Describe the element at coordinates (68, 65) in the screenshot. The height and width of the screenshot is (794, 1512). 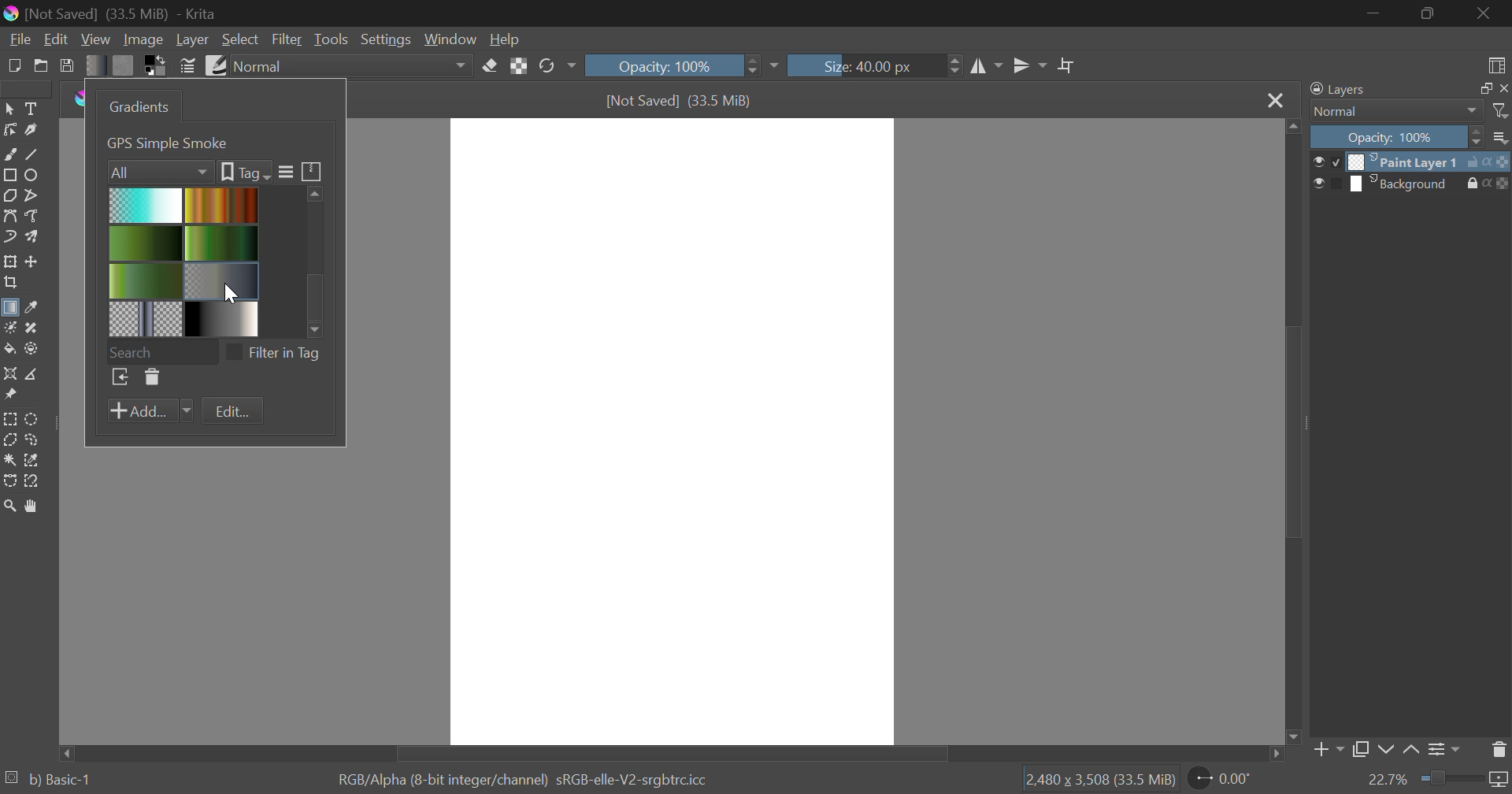
I see `Save` at that location.